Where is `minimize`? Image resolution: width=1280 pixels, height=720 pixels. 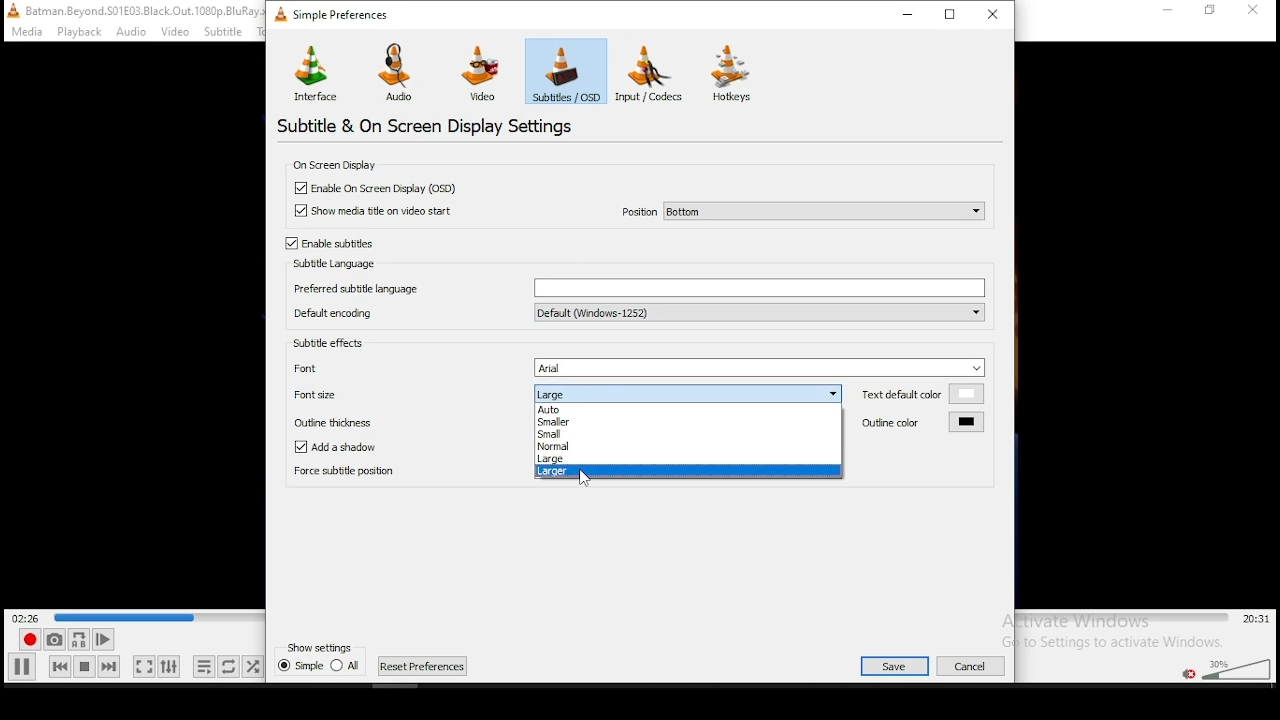
minimize is located at coordinates (1170, 10).